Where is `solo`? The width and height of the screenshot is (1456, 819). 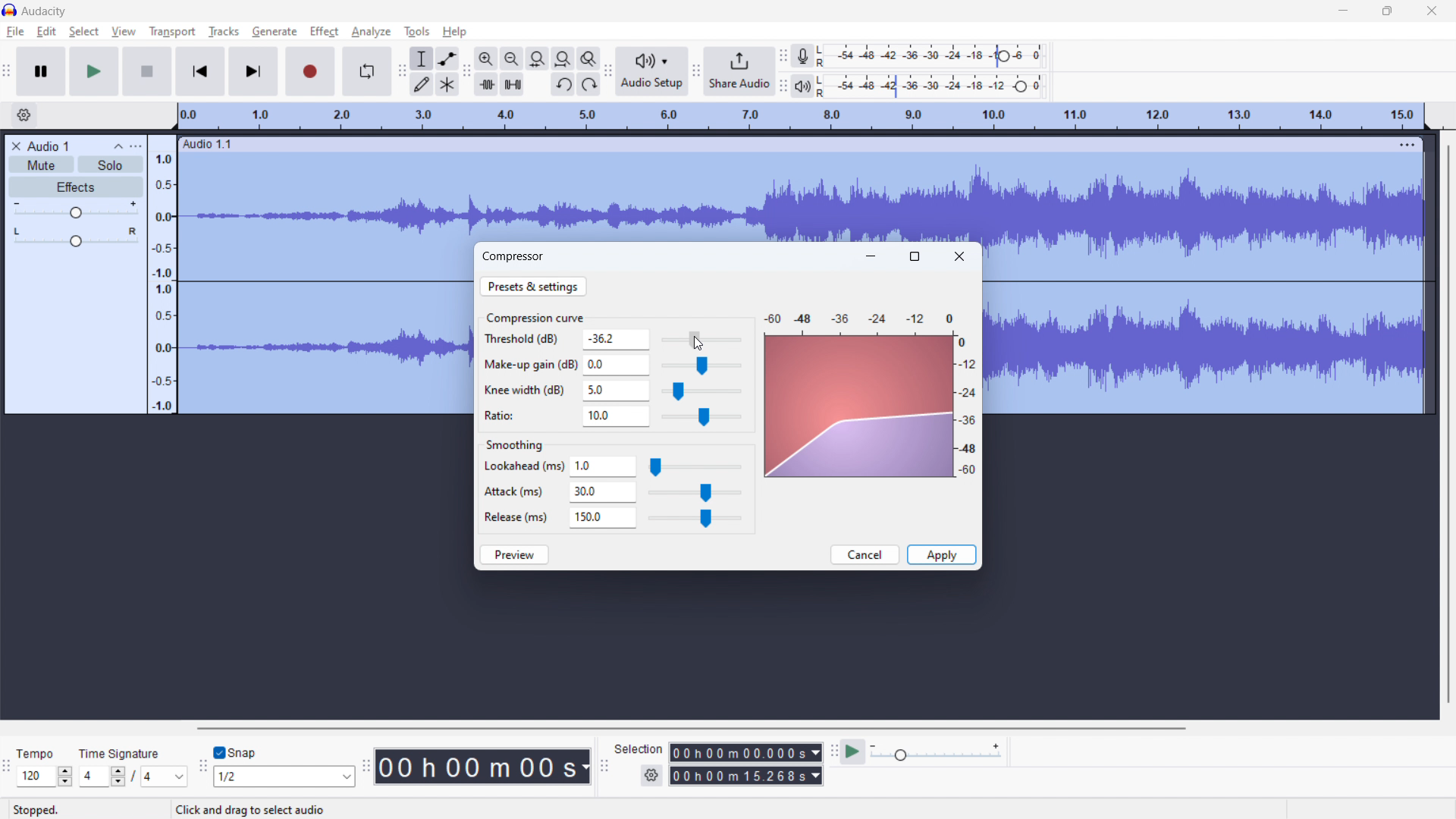 solo is located at coordinates (111, 164).